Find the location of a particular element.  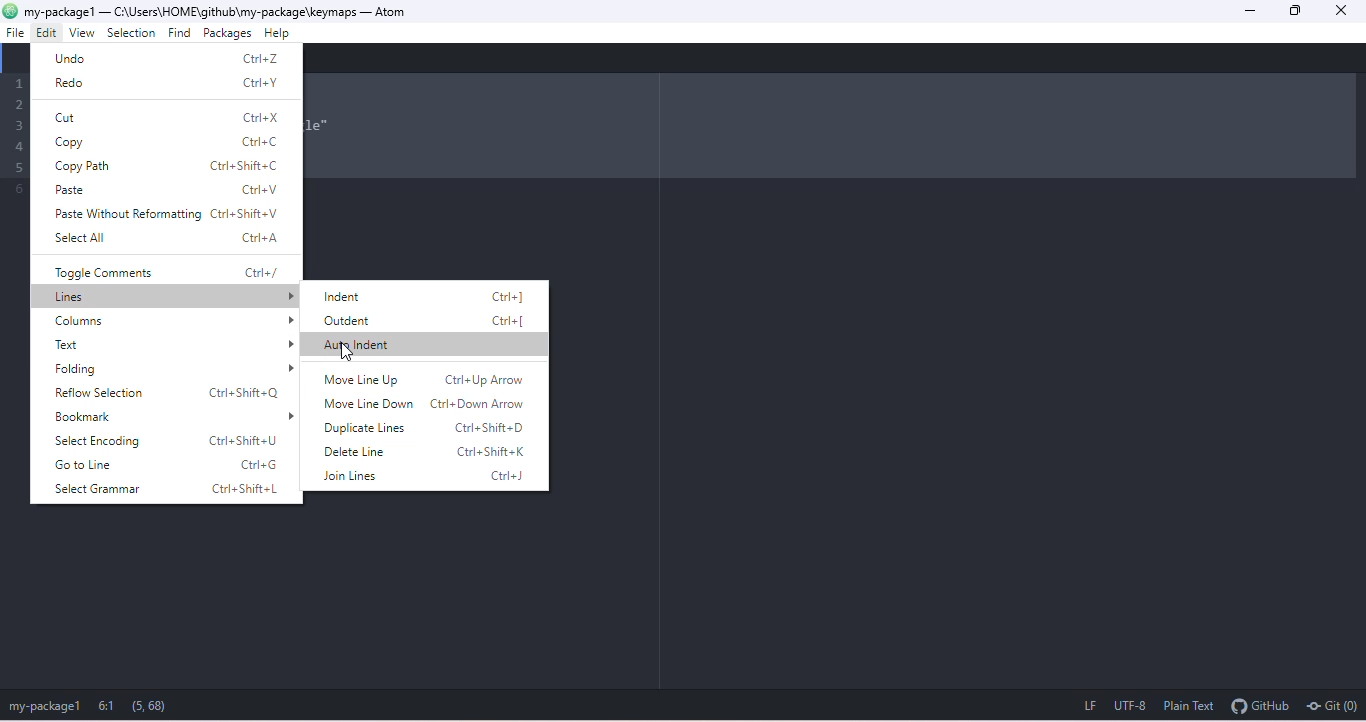

my-package1 is located at coordinates (59, 10).